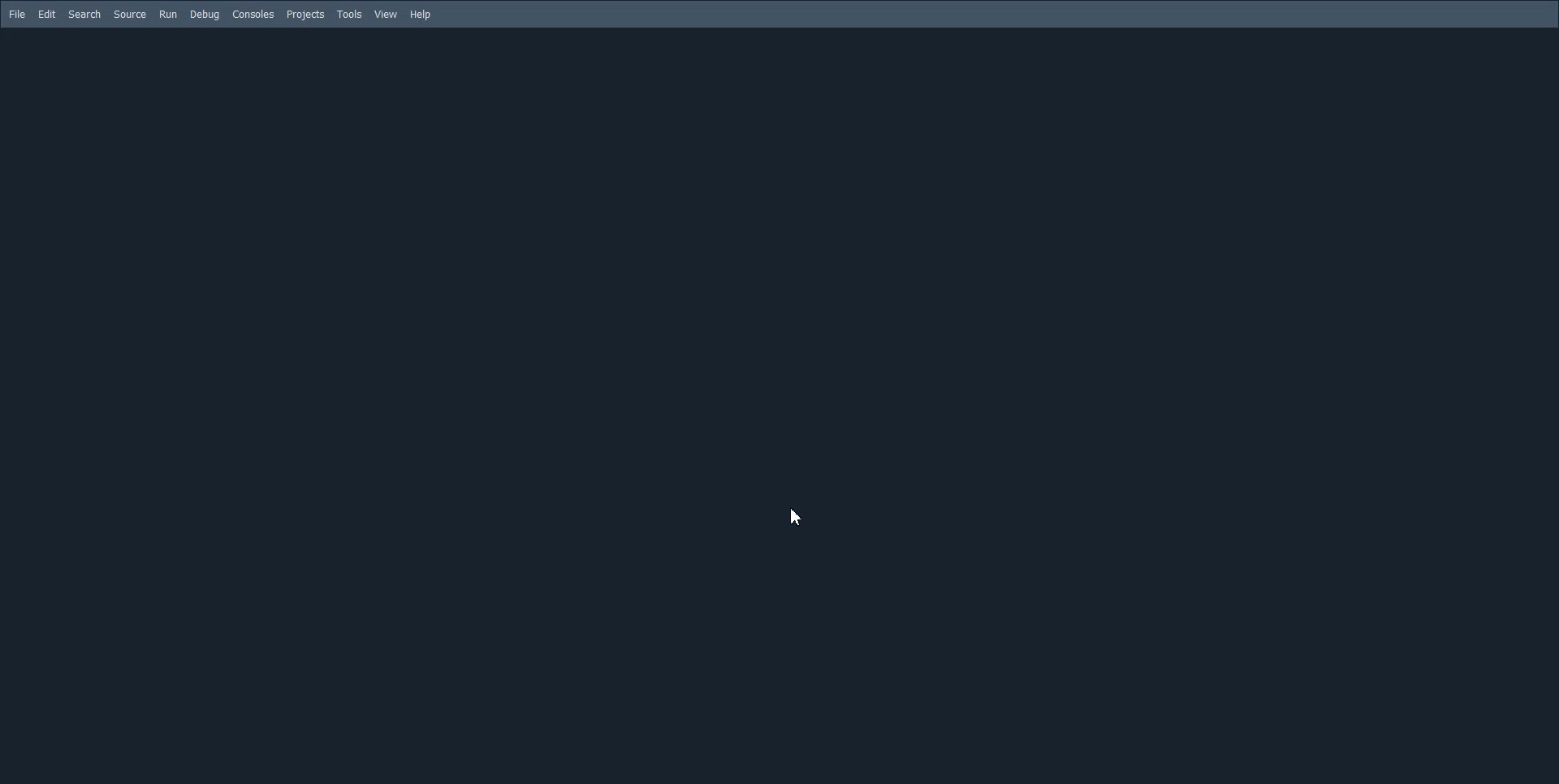 The height and width of the screenshot is (784, 1559). What do you see at coordinates (794, 516) in the screenshot?
I see `Cursor` at bounding box center [794, 516].